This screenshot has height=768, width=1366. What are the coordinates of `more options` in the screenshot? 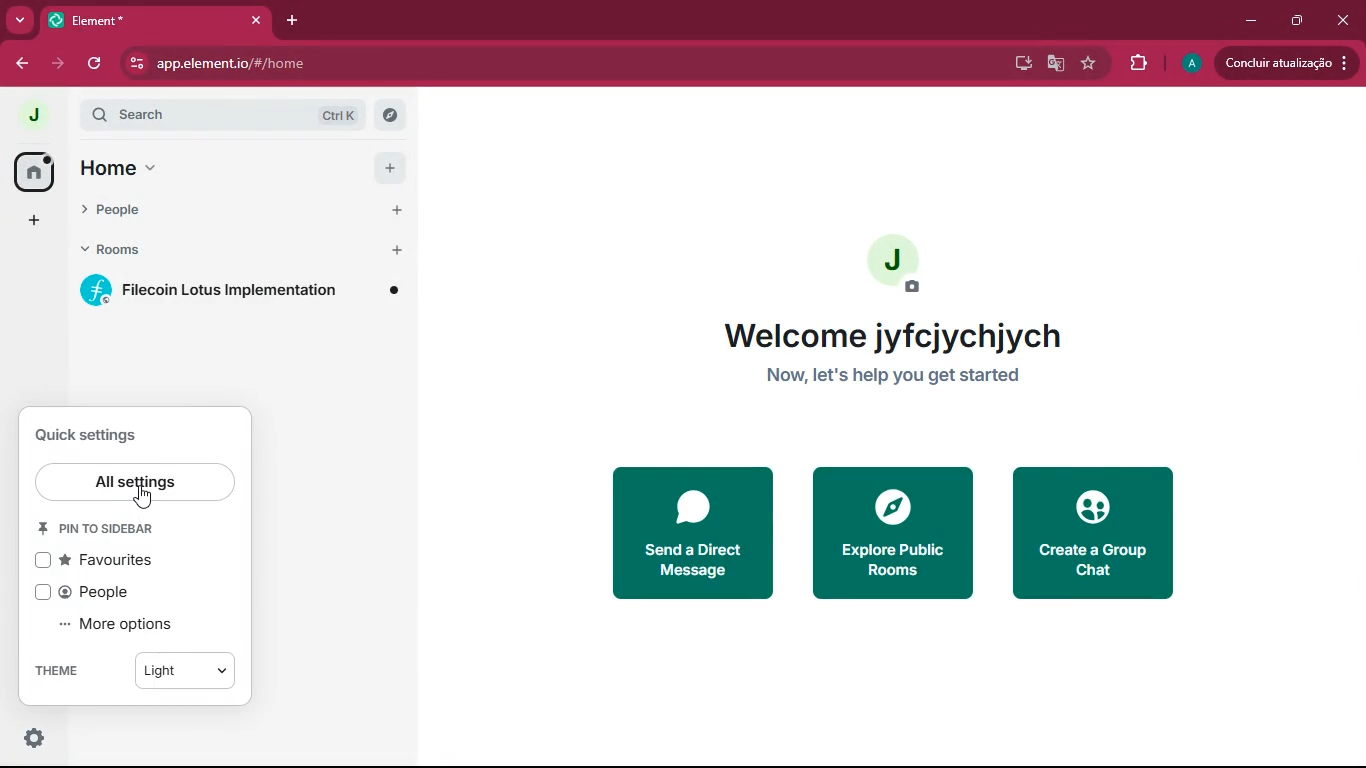 It's located at (122, 628).